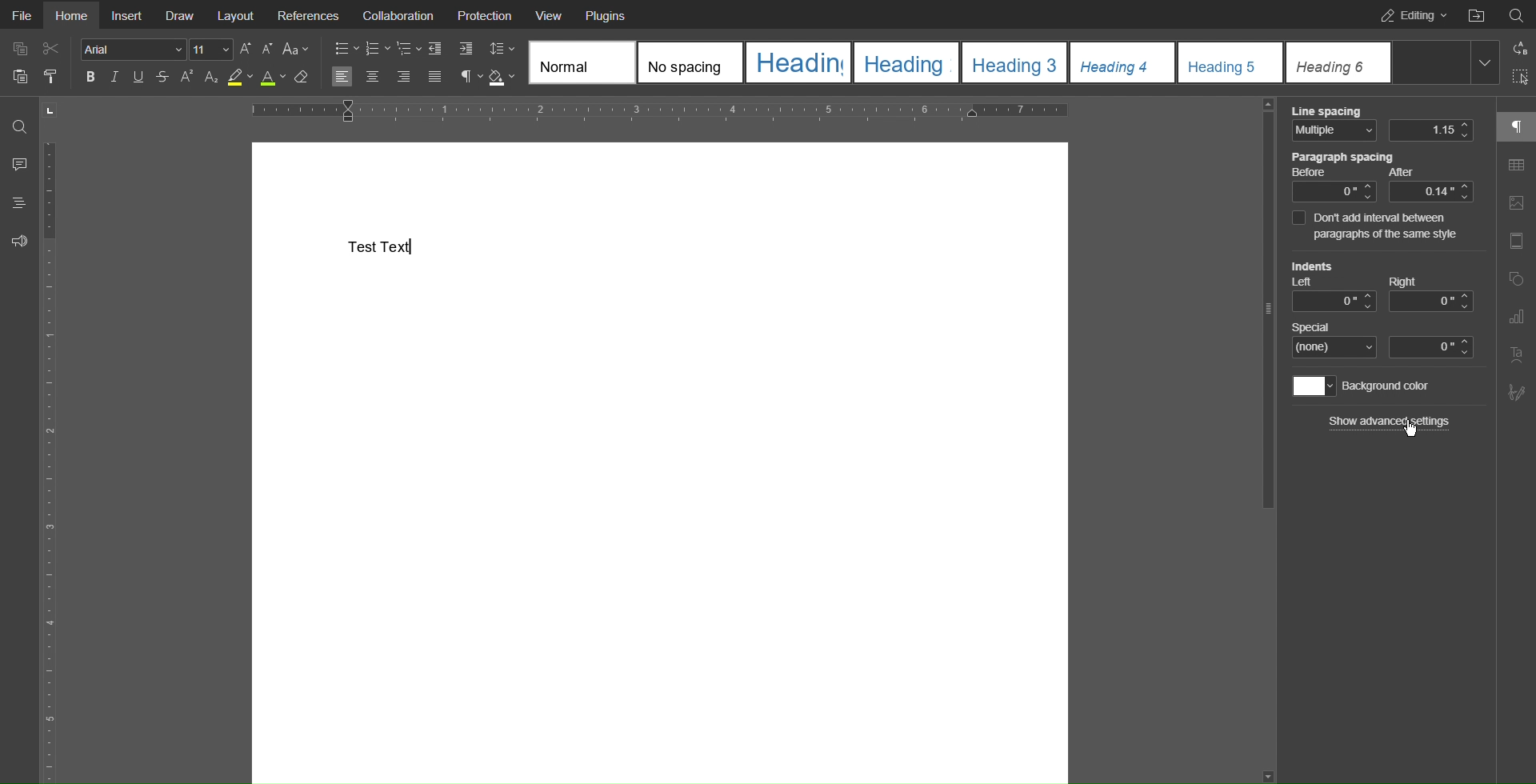 This screenshot has height=784, width=1536. What do you see at coordinates (157, 49) in the screenshot?
I see `Font Settings` at bounding box center [157, 49].